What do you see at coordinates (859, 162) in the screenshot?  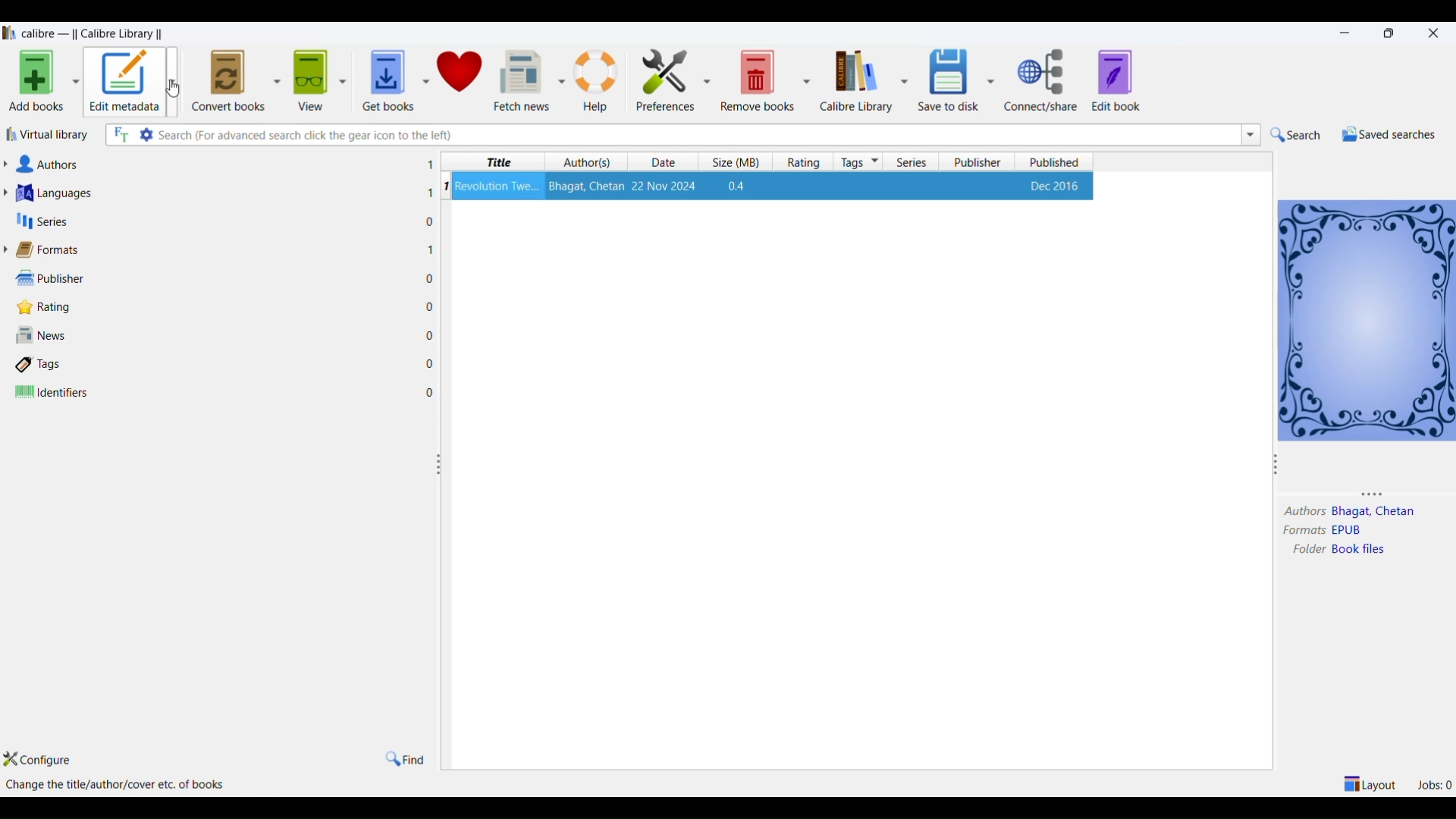 I see `tags` at bounding box center [859, 162].